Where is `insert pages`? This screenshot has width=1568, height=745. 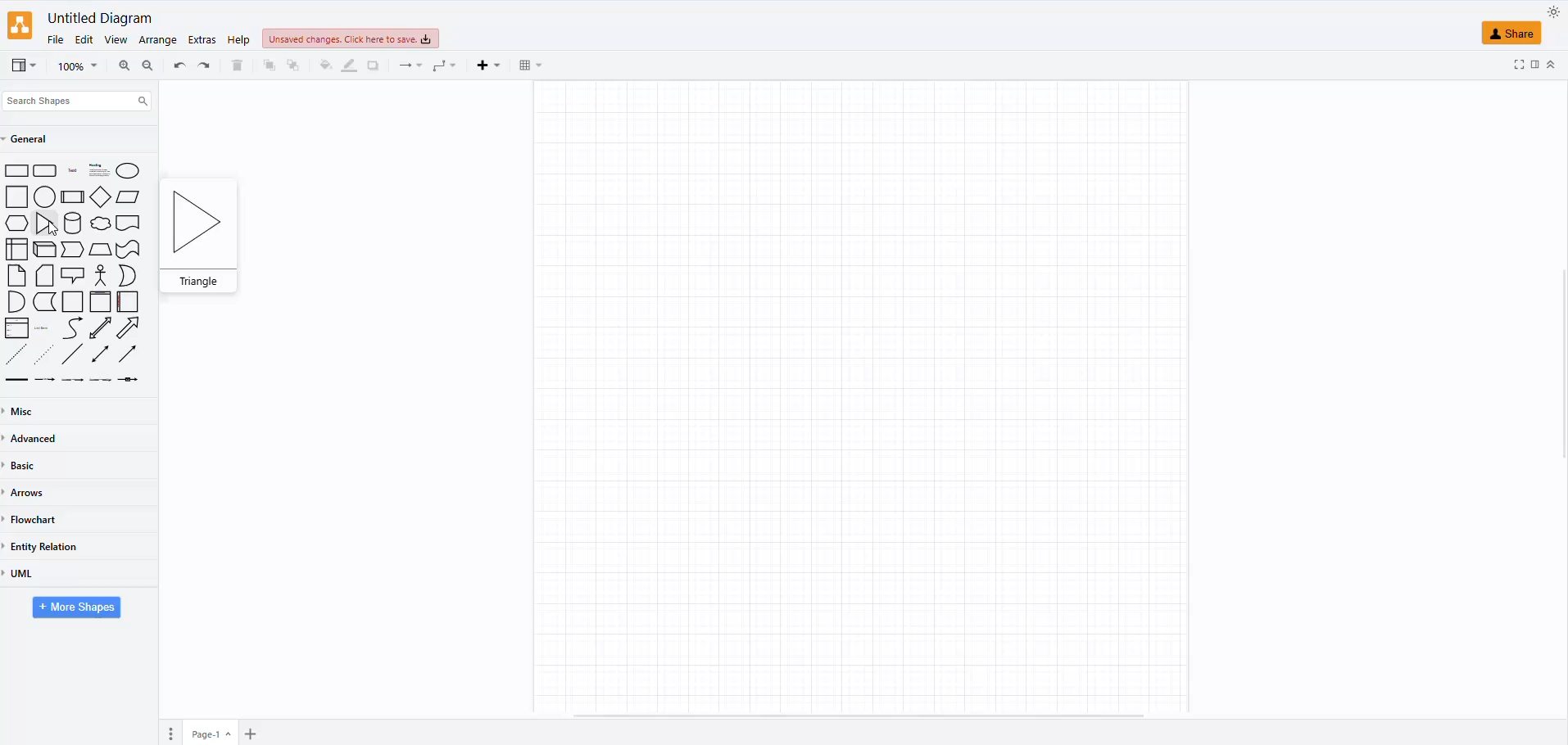 insert pages is located at coordinates (248, 735).